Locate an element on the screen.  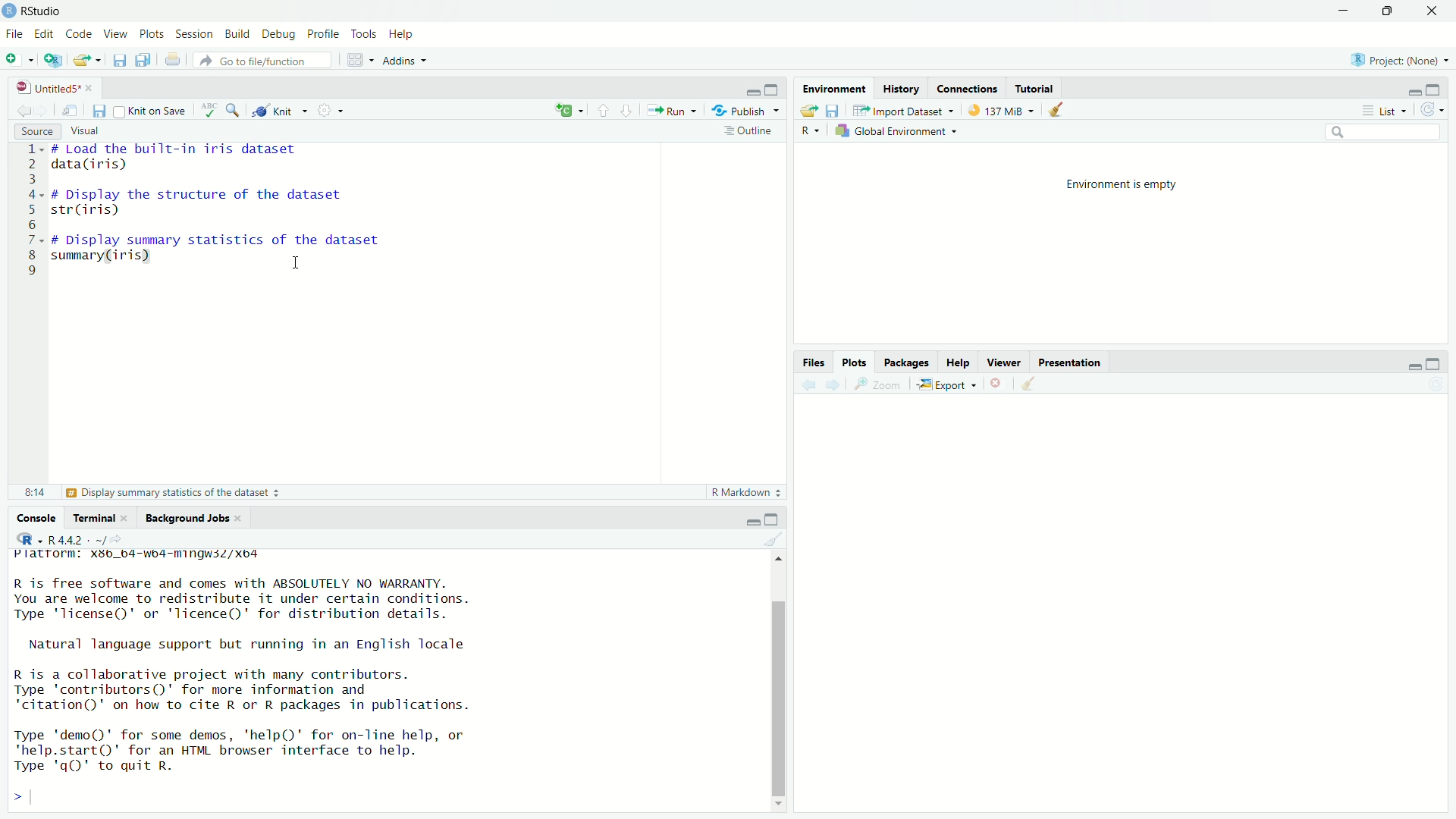
Cursor is located at coordinates (294, 258).